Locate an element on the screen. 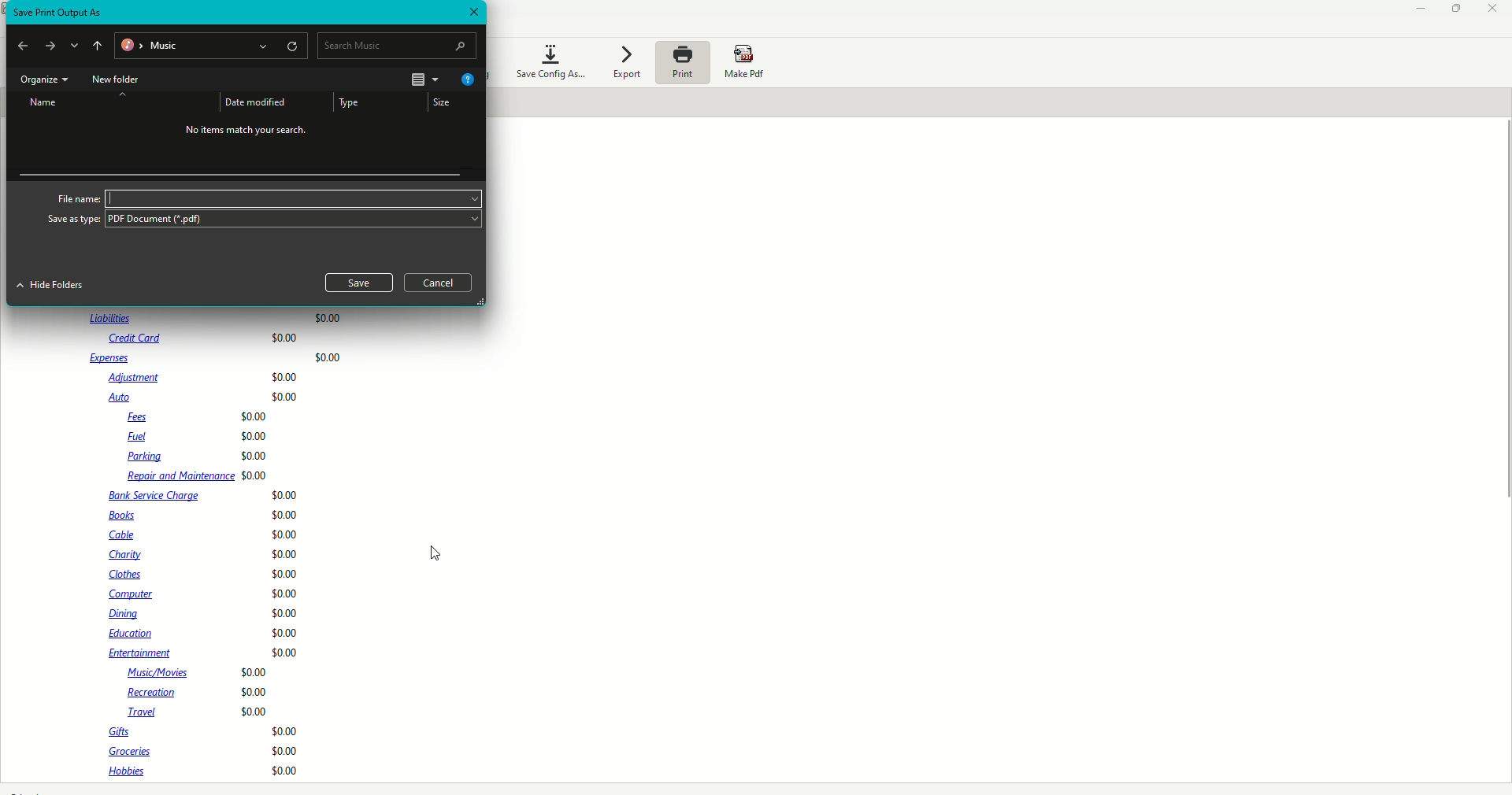  Cancel is located at coordinates (438, 283).